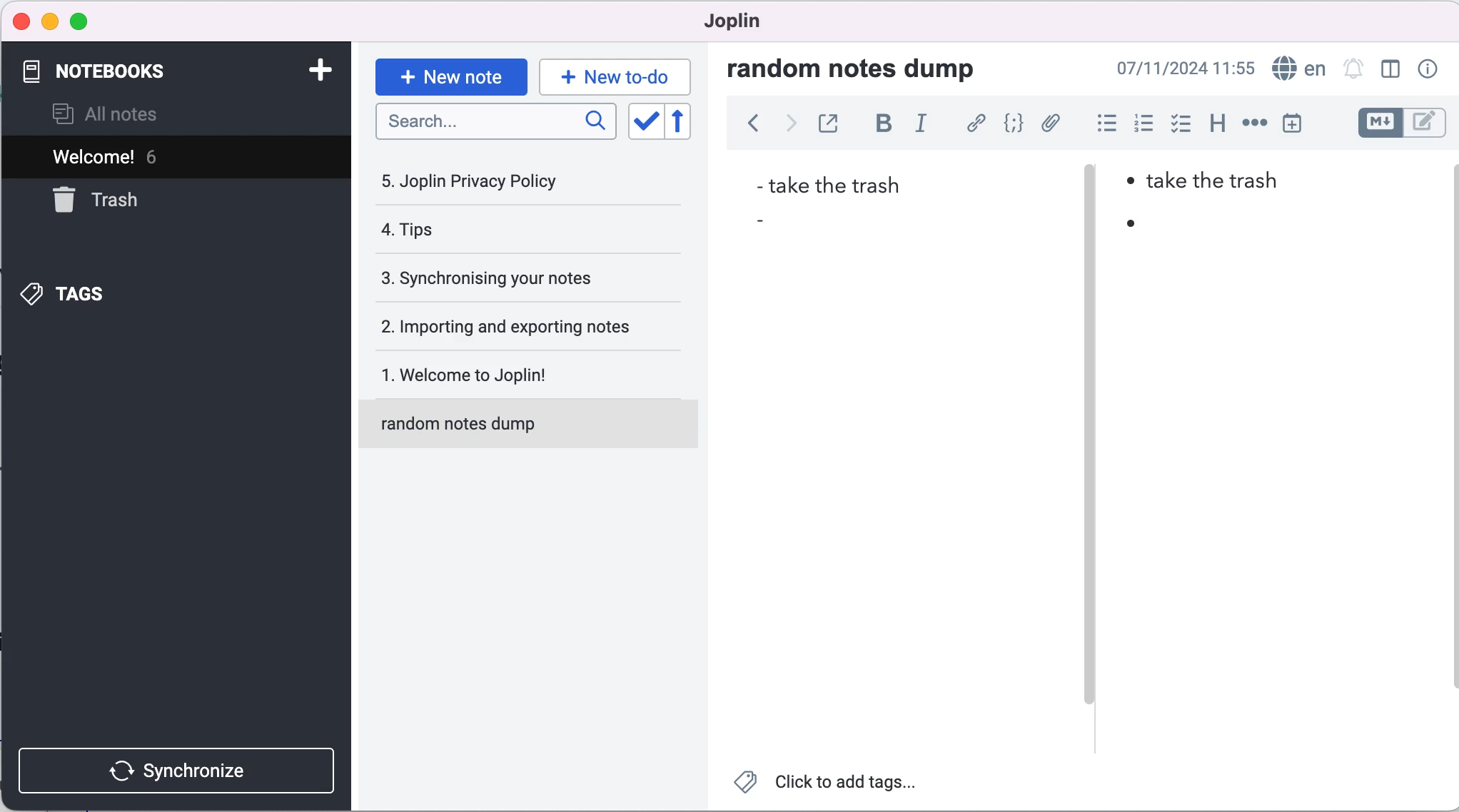 Image resolution: width=1459 pixels, height=812 pixels. Describe the element at coordinates (1254, 123) in the screenshot. I see `horizontal rule` at that location.